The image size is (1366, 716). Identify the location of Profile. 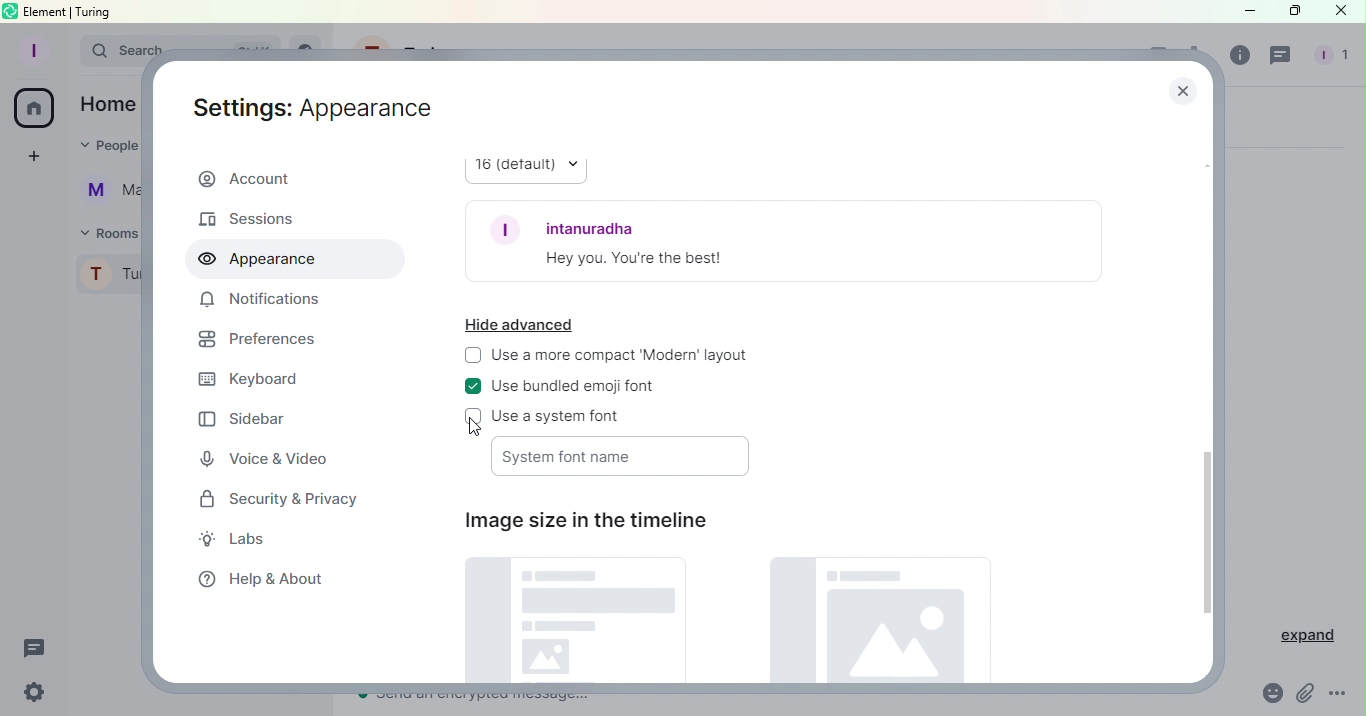
(29, 49).